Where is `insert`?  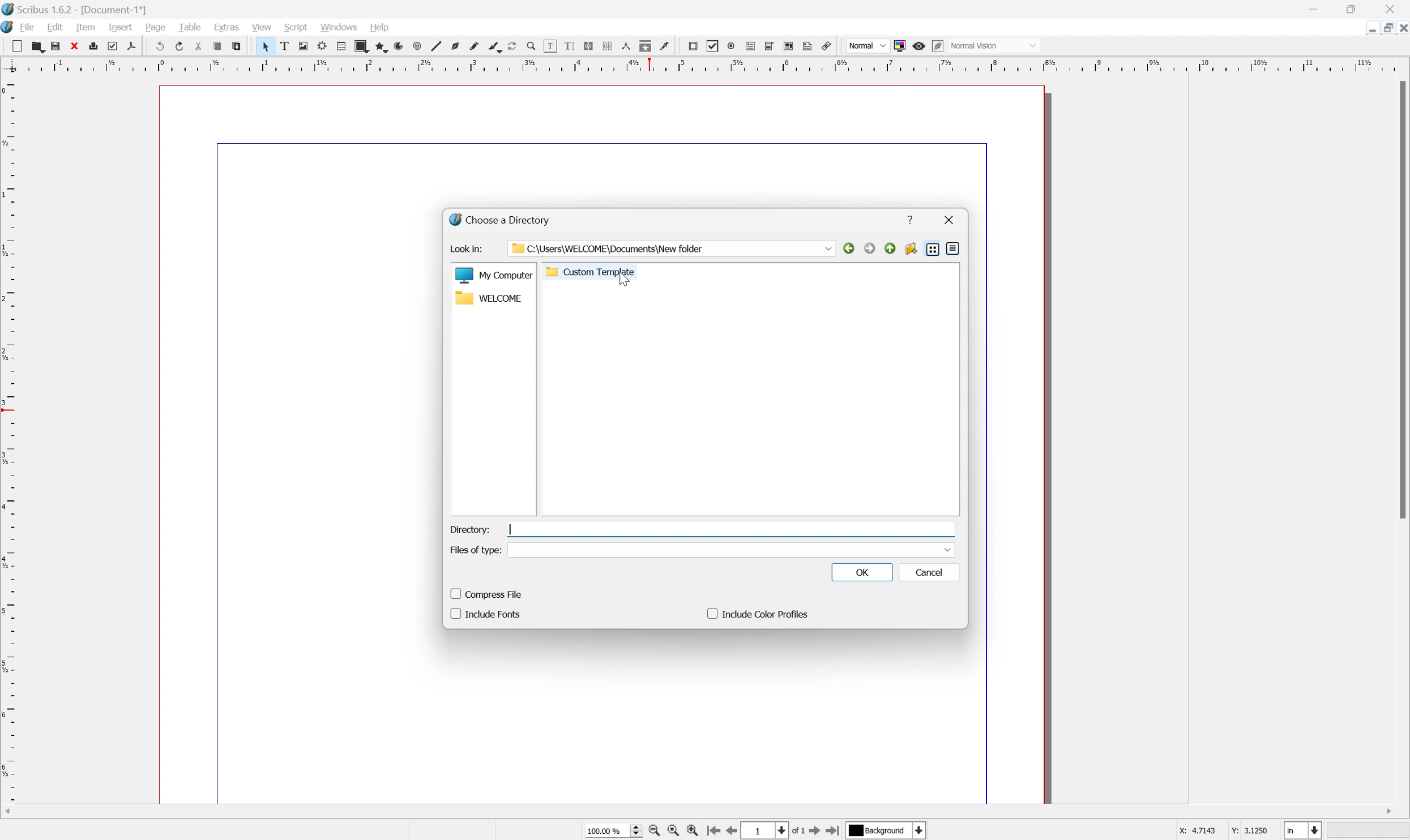
insert is located at coordinates (121, 28).